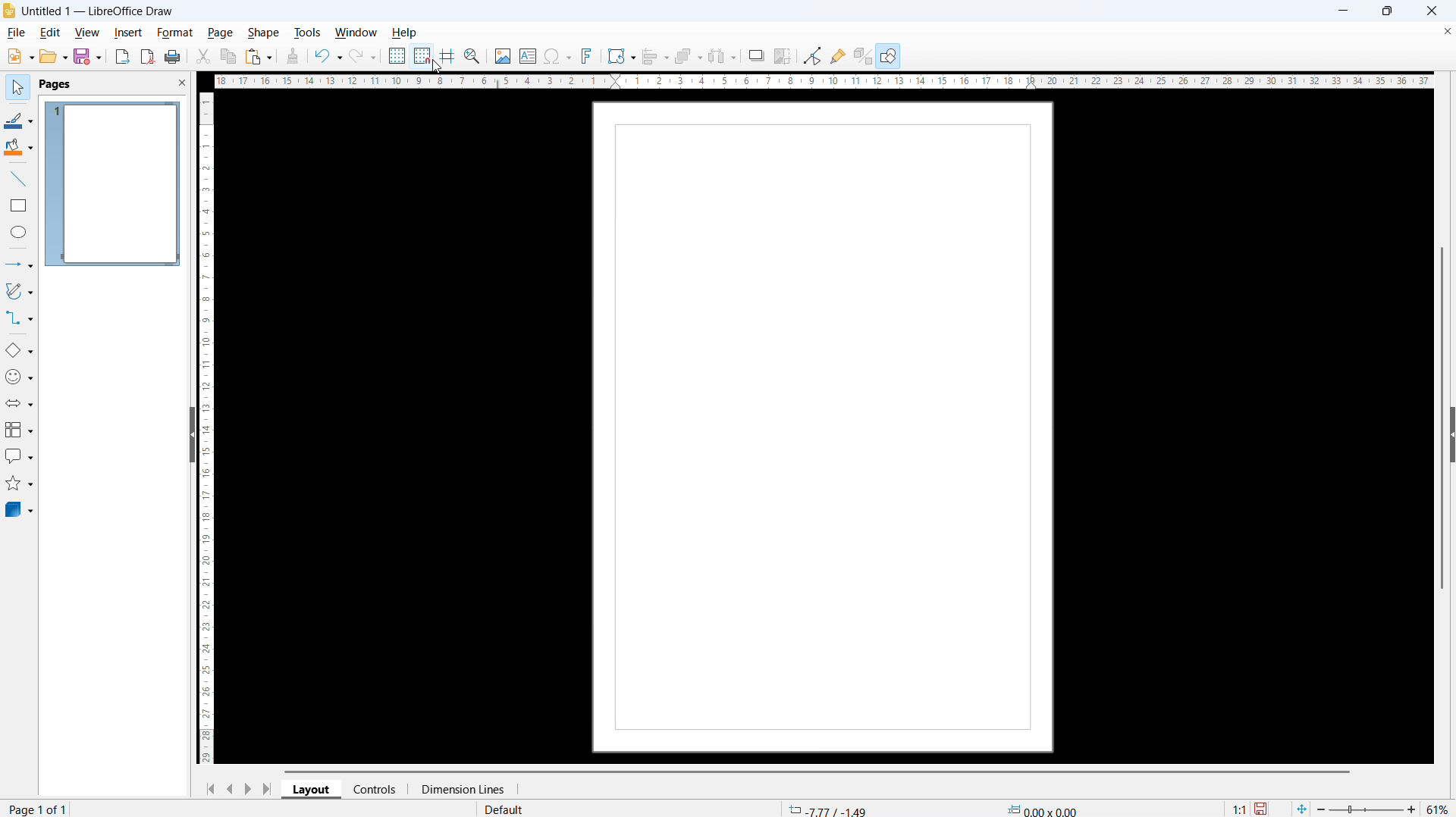 The height and width of the screenshot is (817, 1456). Describe the element at coordinates (1439, 807) in the screenshot. I see `Zoom level ` at that location.